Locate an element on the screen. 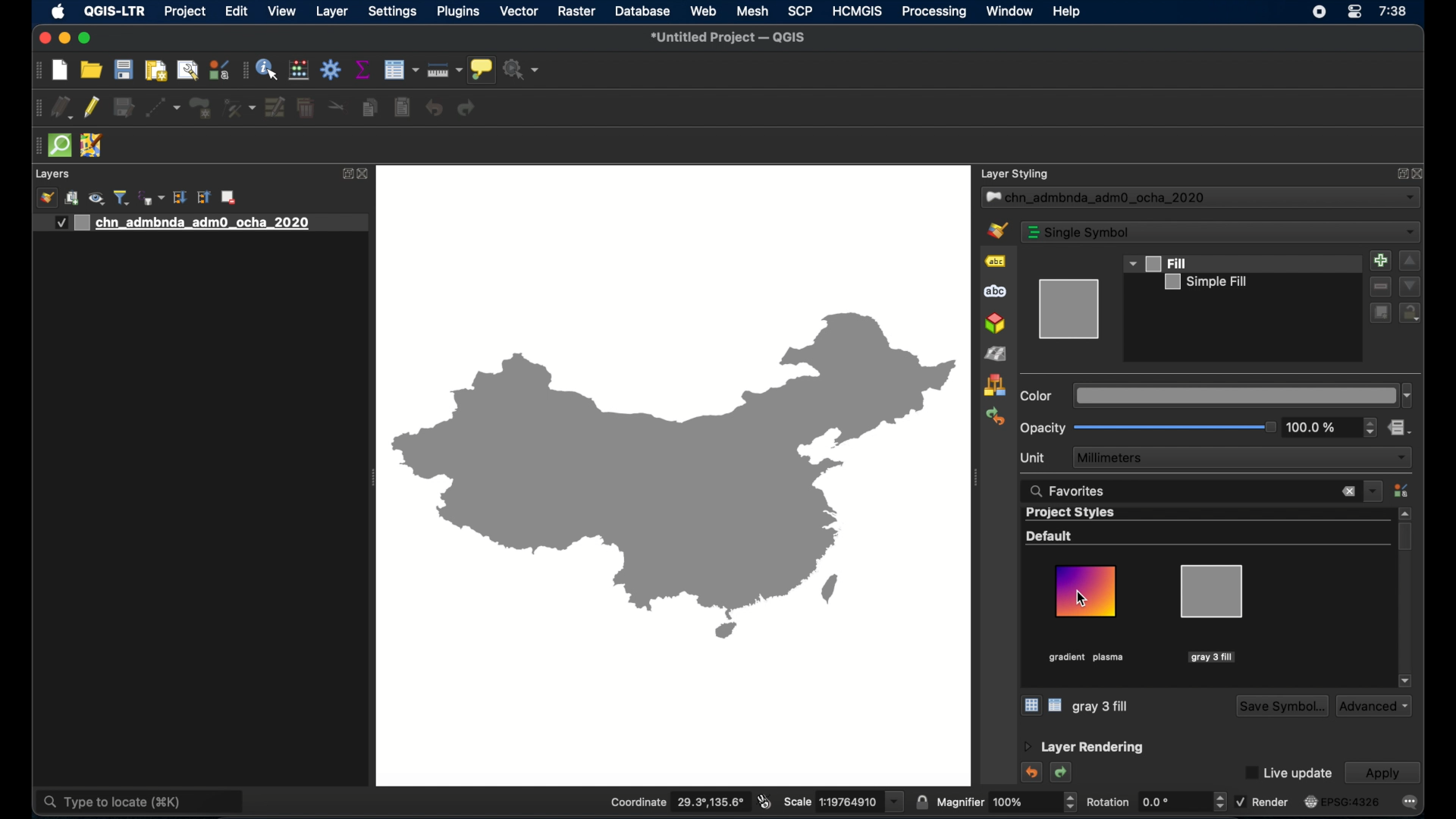 The width and height of the screenshot is (1456, 819). lock is located at coordinates (1410, 314).